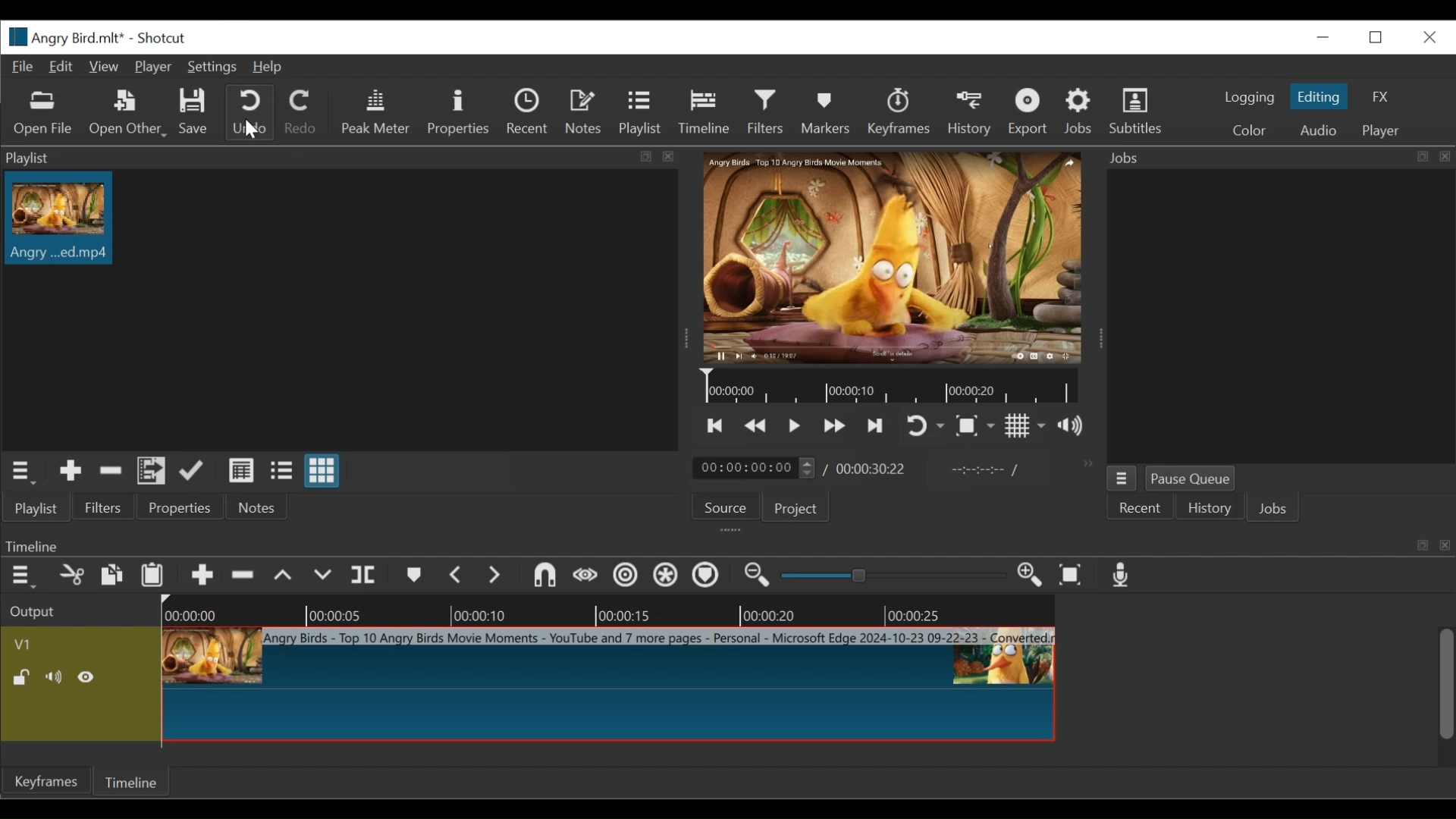 The height and width of the screenshot is (819, 1456). Describe the element at coordinates (893, 259) in the screenshot. I see `Media Viewer` at that location.